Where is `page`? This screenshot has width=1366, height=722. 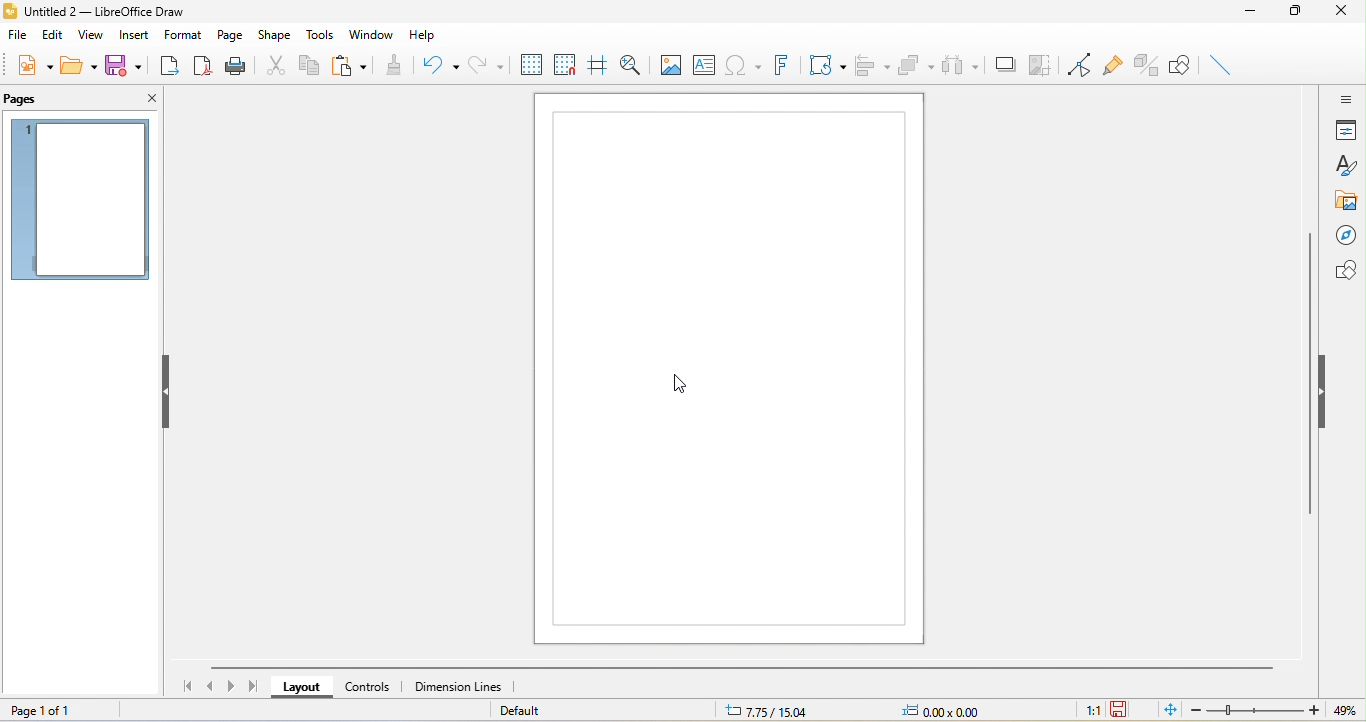 page is located at coordinates (229, 34).